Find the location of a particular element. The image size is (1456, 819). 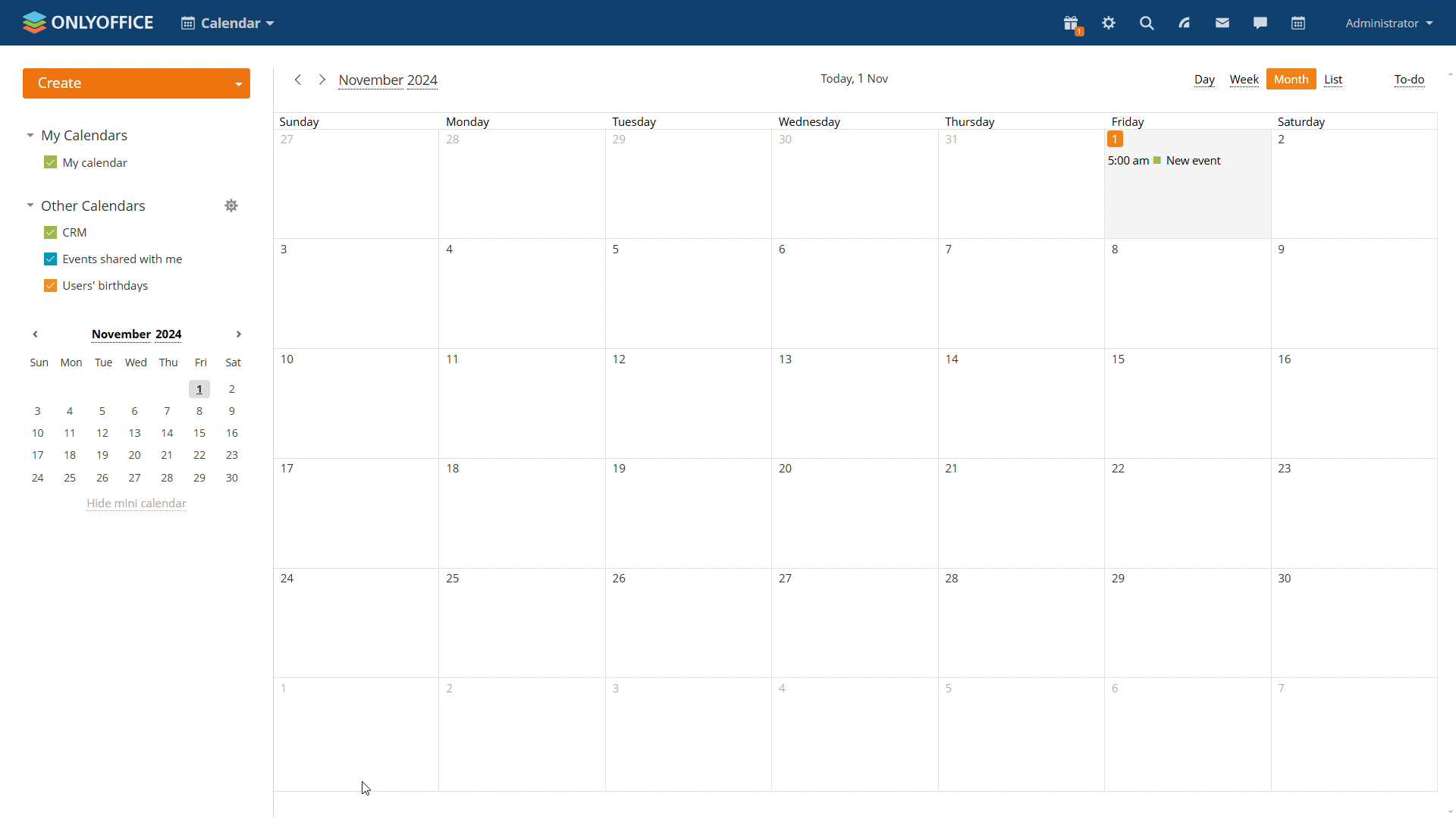

Next month is located at coordinates (238, 334).